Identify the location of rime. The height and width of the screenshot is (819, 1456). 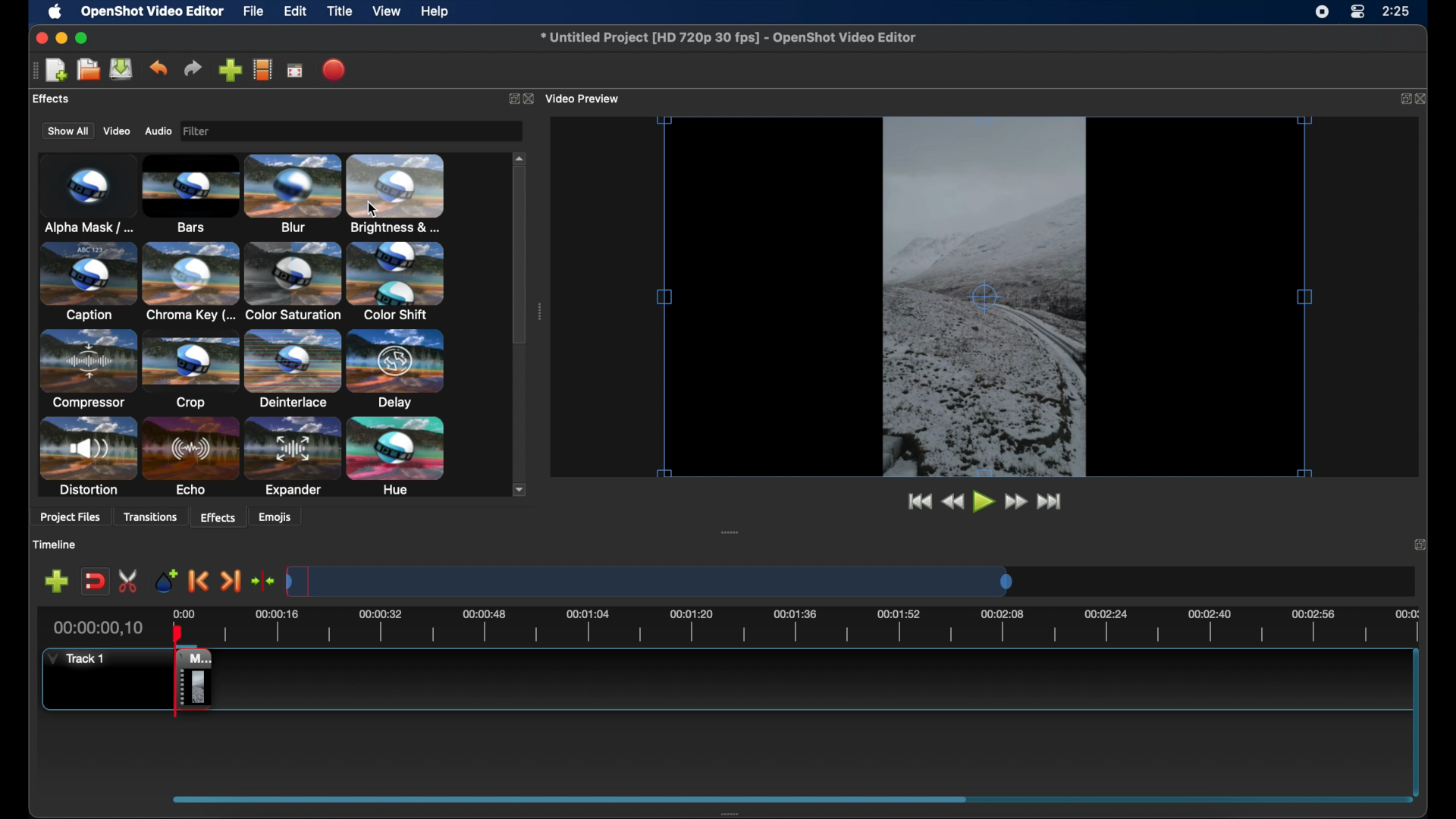
(1397, 13).